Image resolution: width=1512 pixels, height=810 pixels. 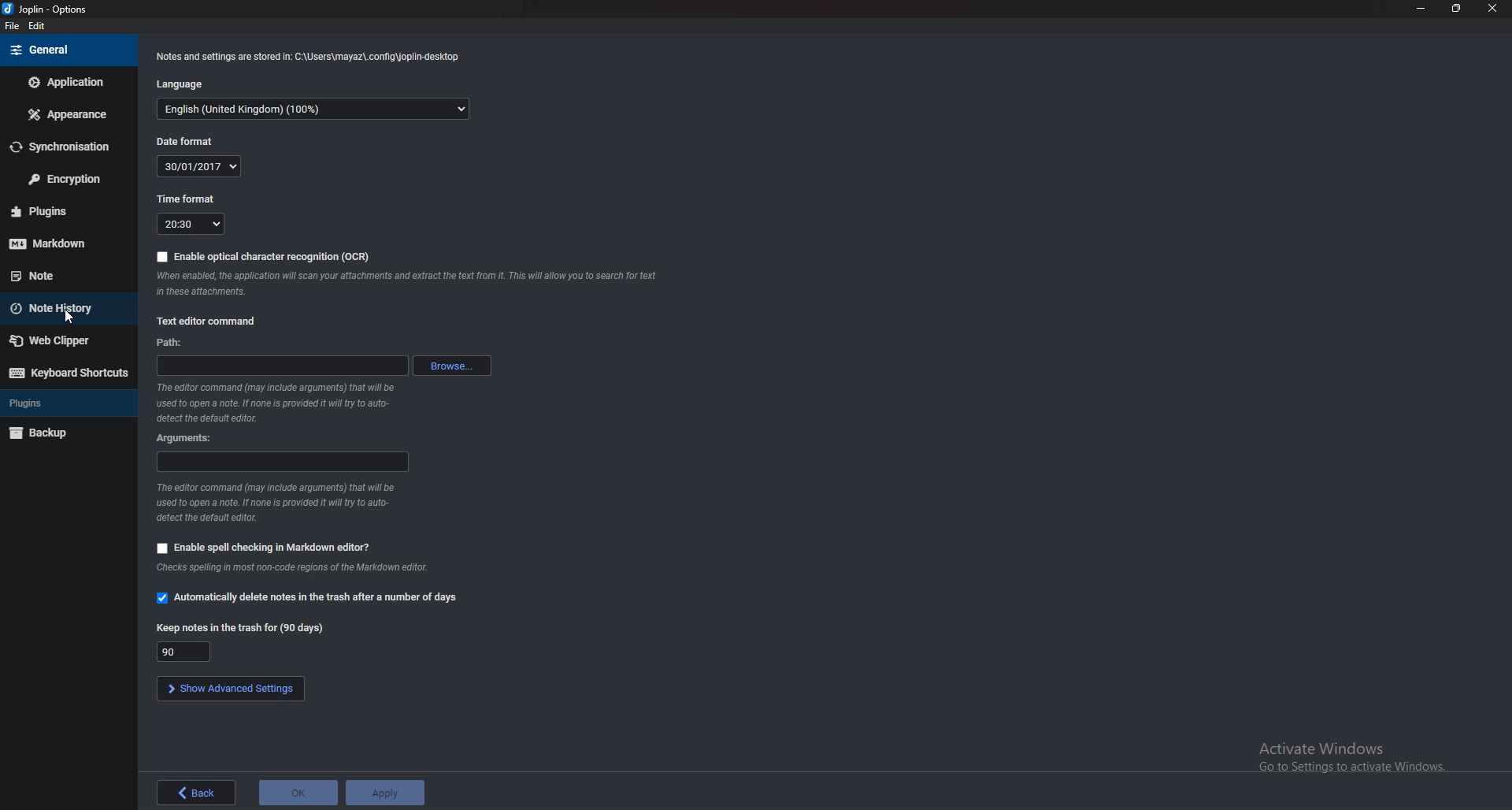 I want to click on note, so click(x=56, y=275).